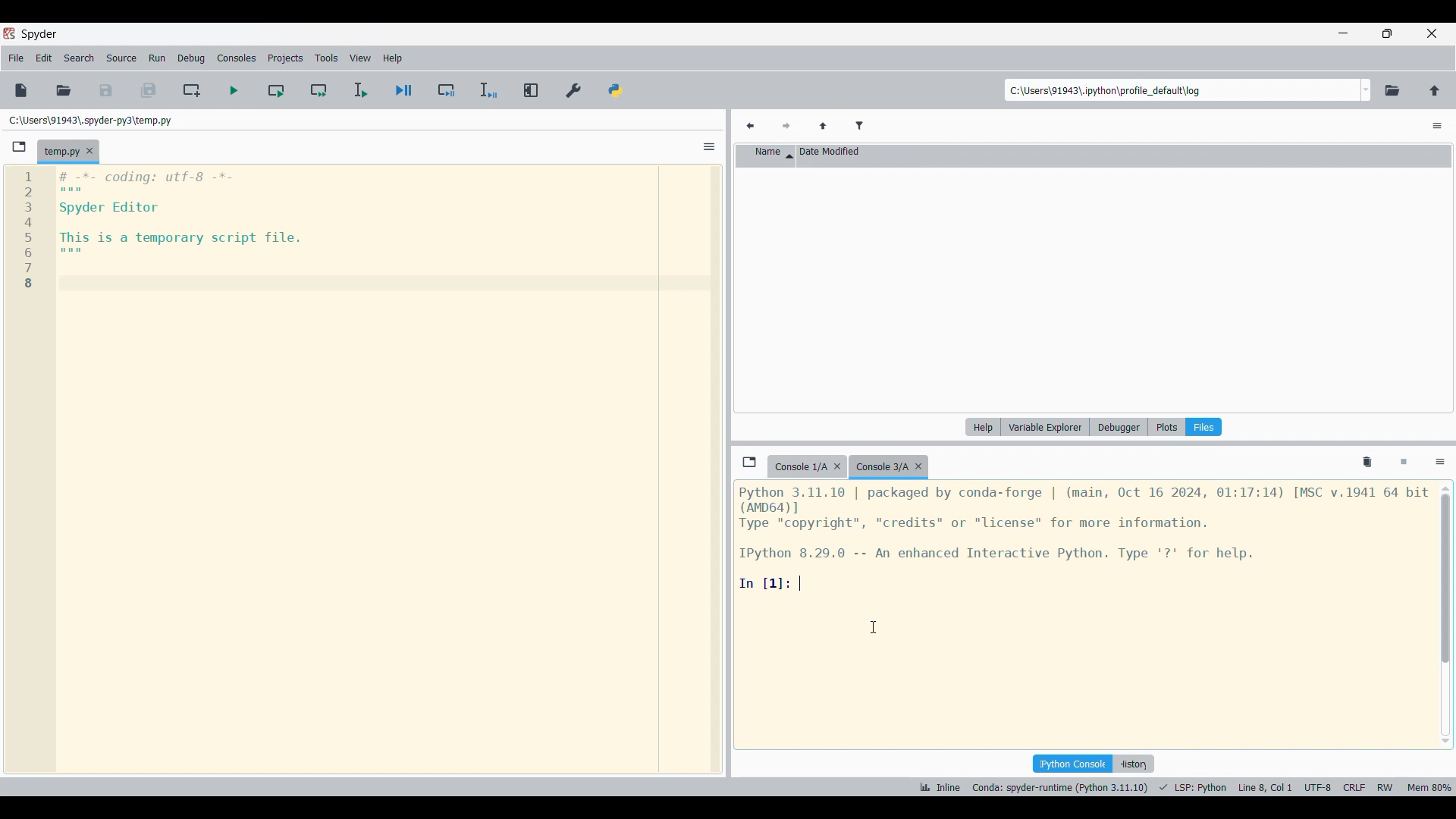  What do you see at coordinates (16, 58) in the screenshot?
I see `File menu` at bounding box center [16, 58].